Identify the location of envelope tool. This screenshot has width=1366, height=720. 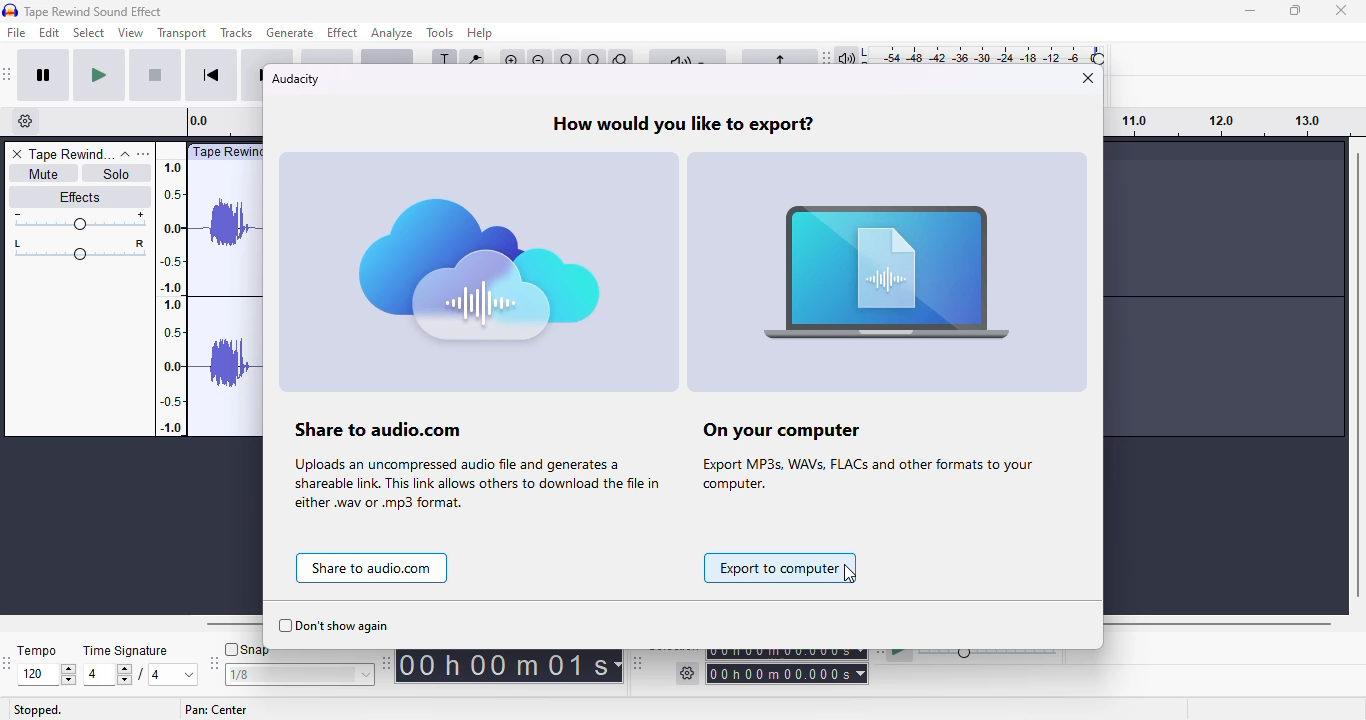
(473, 61).